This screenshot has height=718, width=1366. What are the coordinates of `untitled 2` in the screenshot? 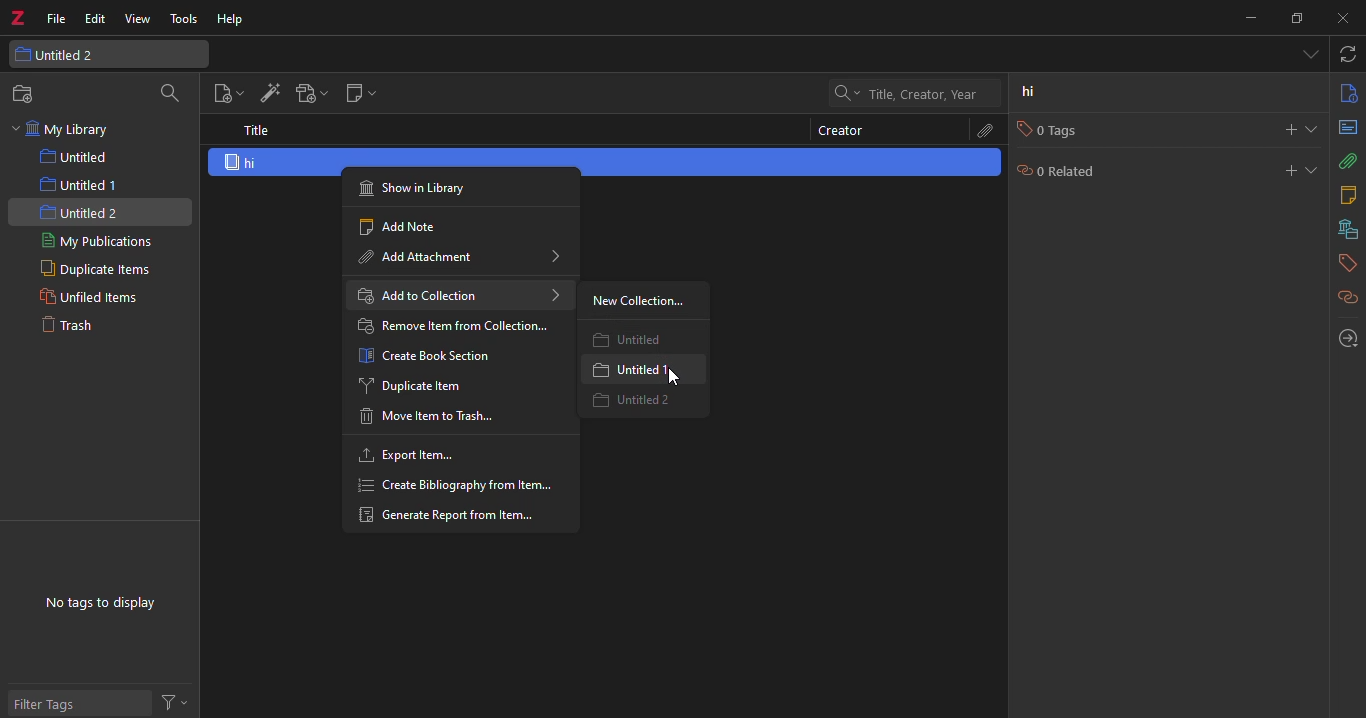 It's located at (62, 55).